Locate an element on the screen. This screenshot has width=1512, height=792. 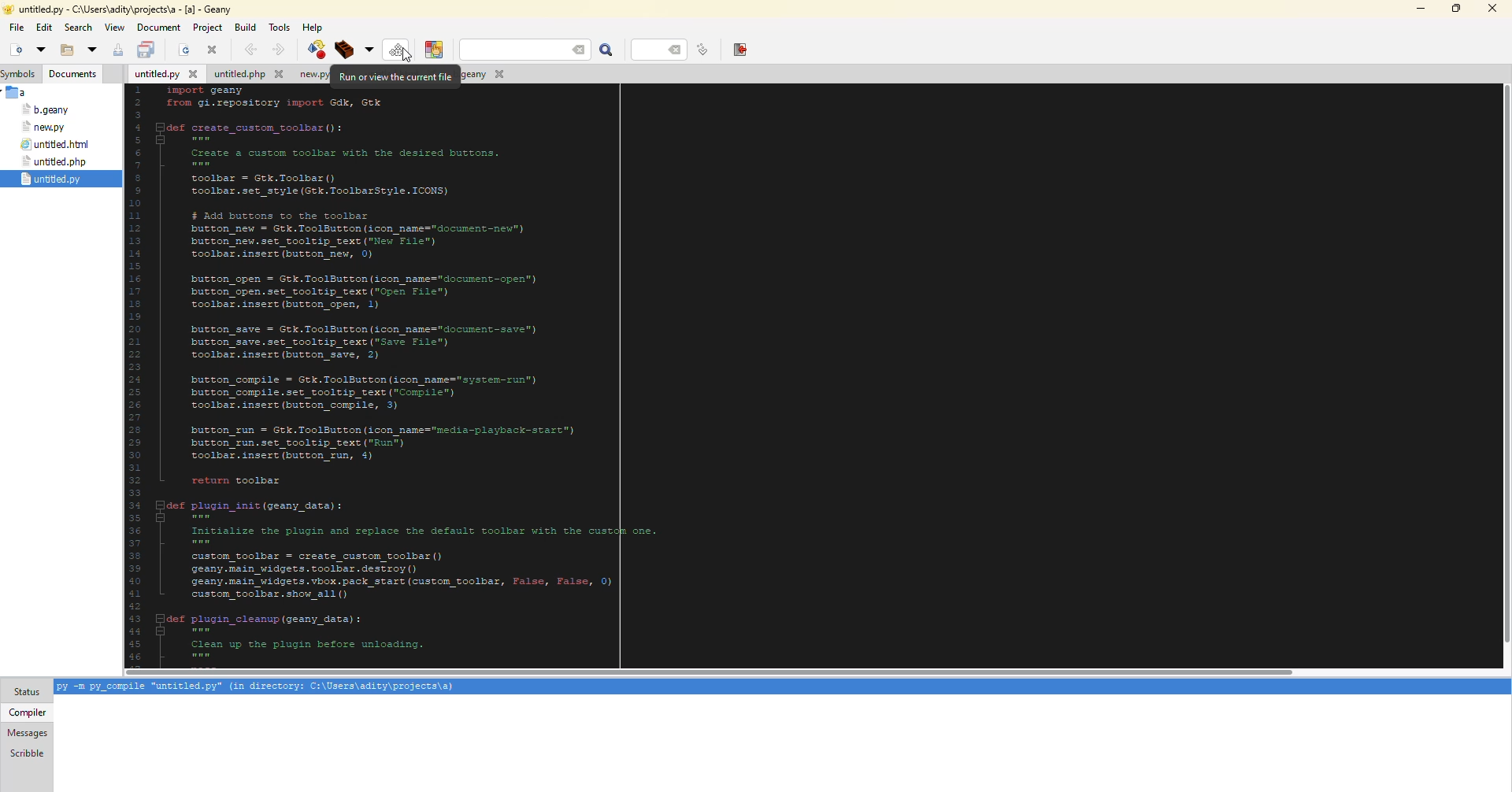
edit is located at coordinates (43, 28).